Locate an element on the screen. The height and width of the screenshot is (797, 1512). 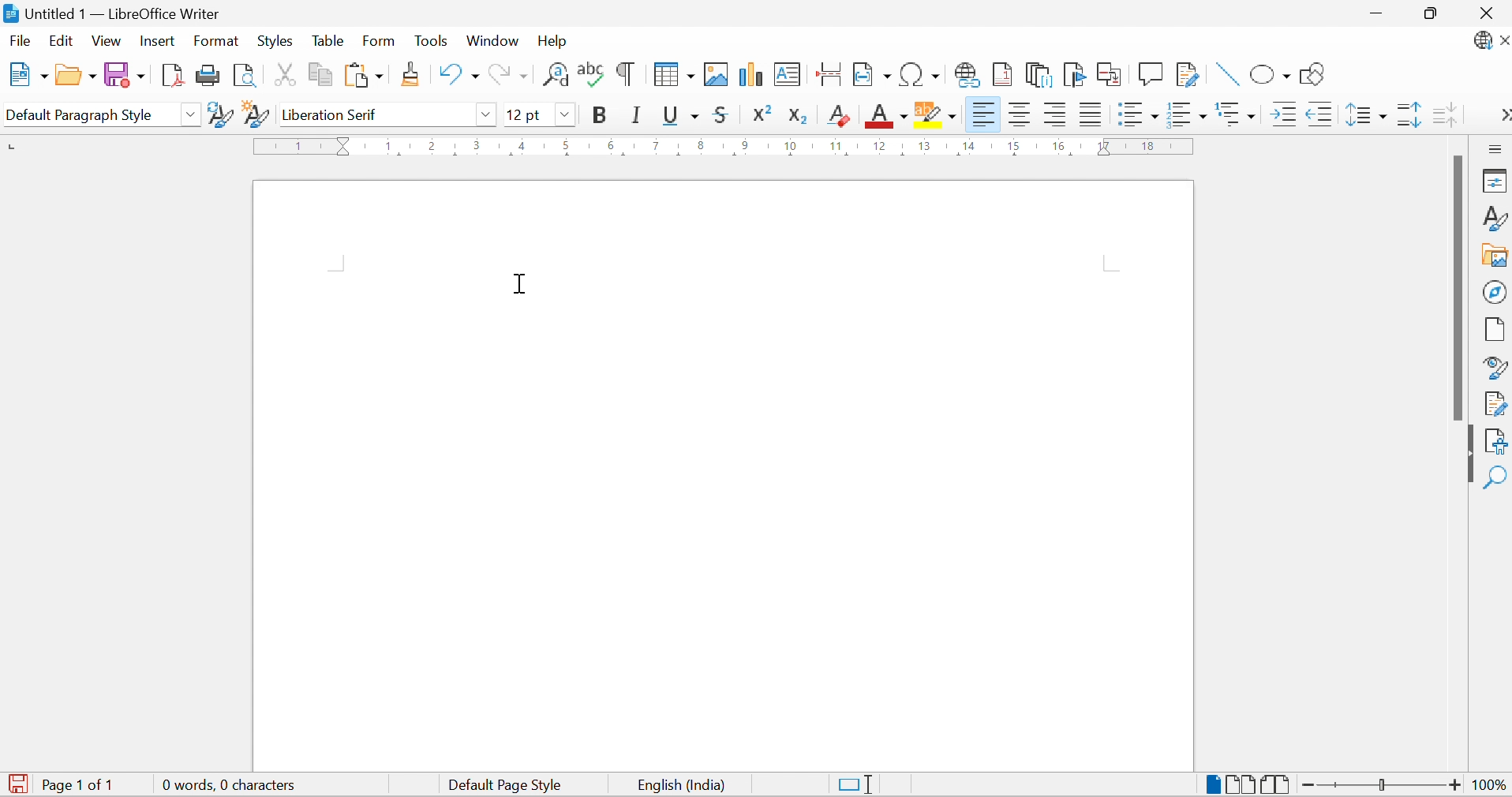
Increase Paragraph Spacing is located at coordinates (1408, 116).